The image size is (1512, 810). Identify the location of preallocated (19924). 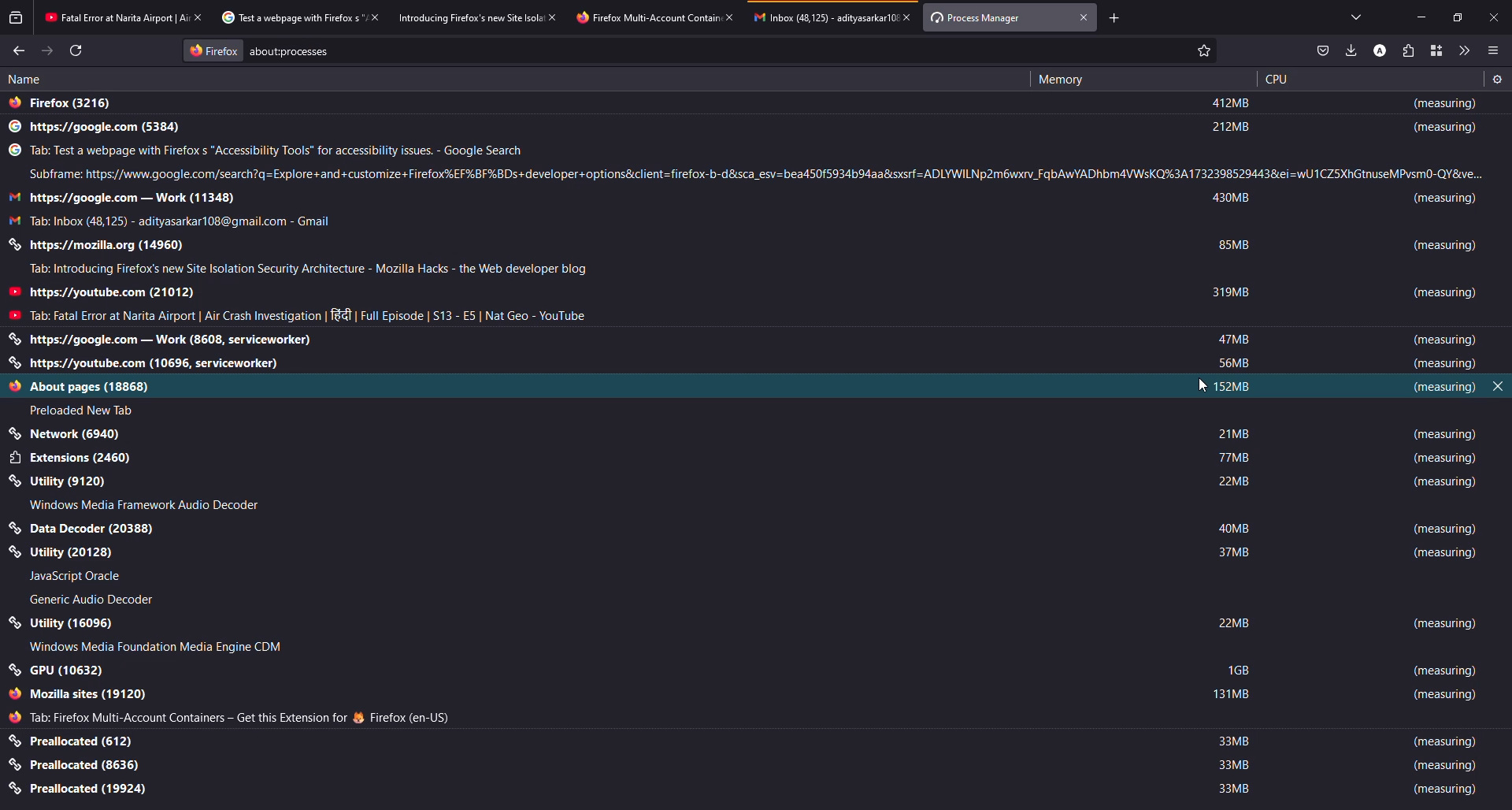
(81, 790).